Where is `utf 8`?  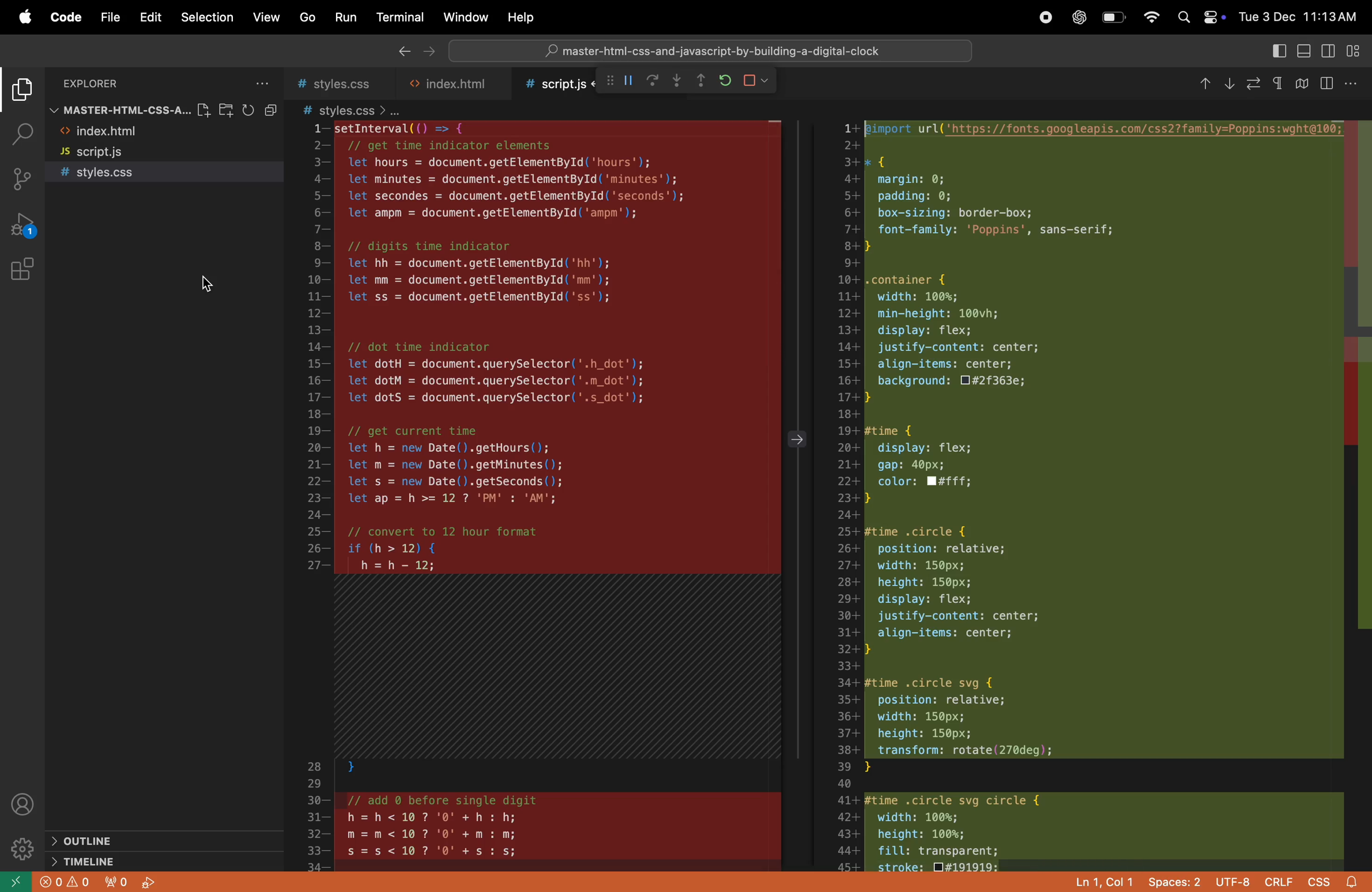 utf 8 is located at coordinates (1236, 882).